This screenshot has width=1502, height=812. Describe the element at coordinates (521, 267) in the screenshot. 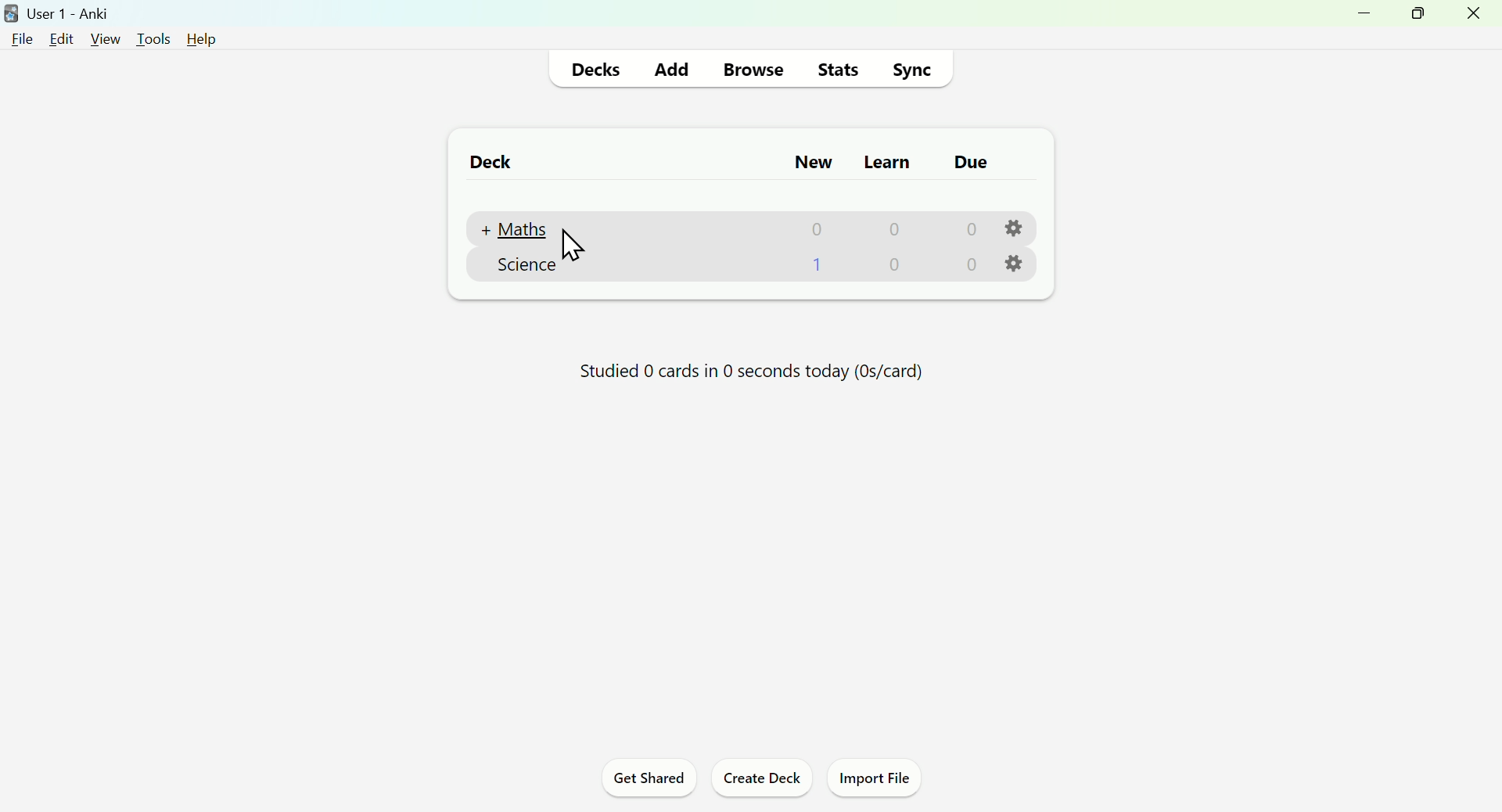

I see `Maths` at that location.